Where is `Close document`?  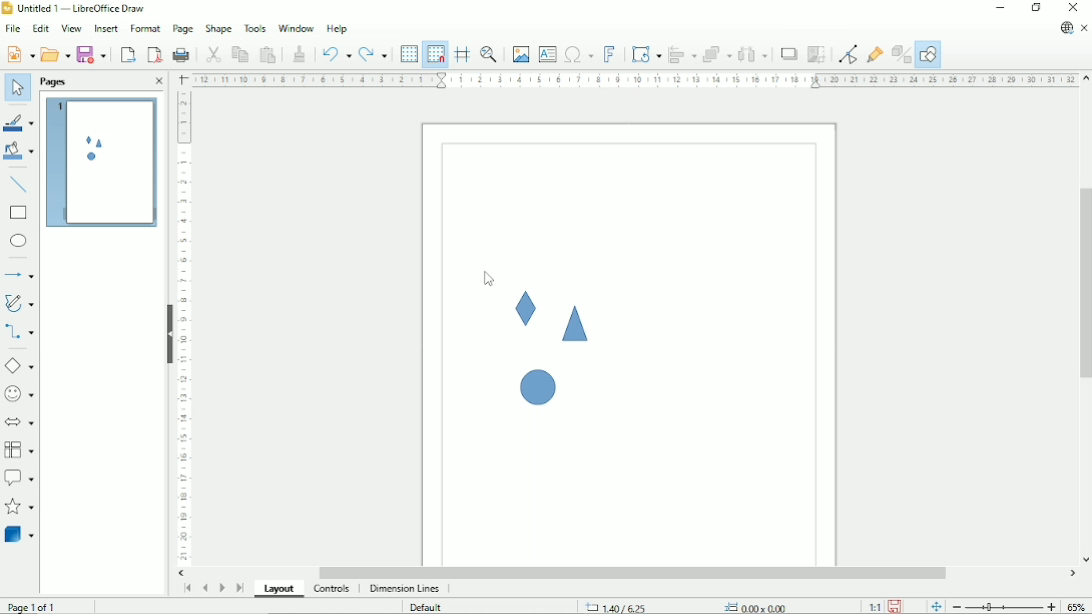 Close document is located at coordinates (1084, 28).